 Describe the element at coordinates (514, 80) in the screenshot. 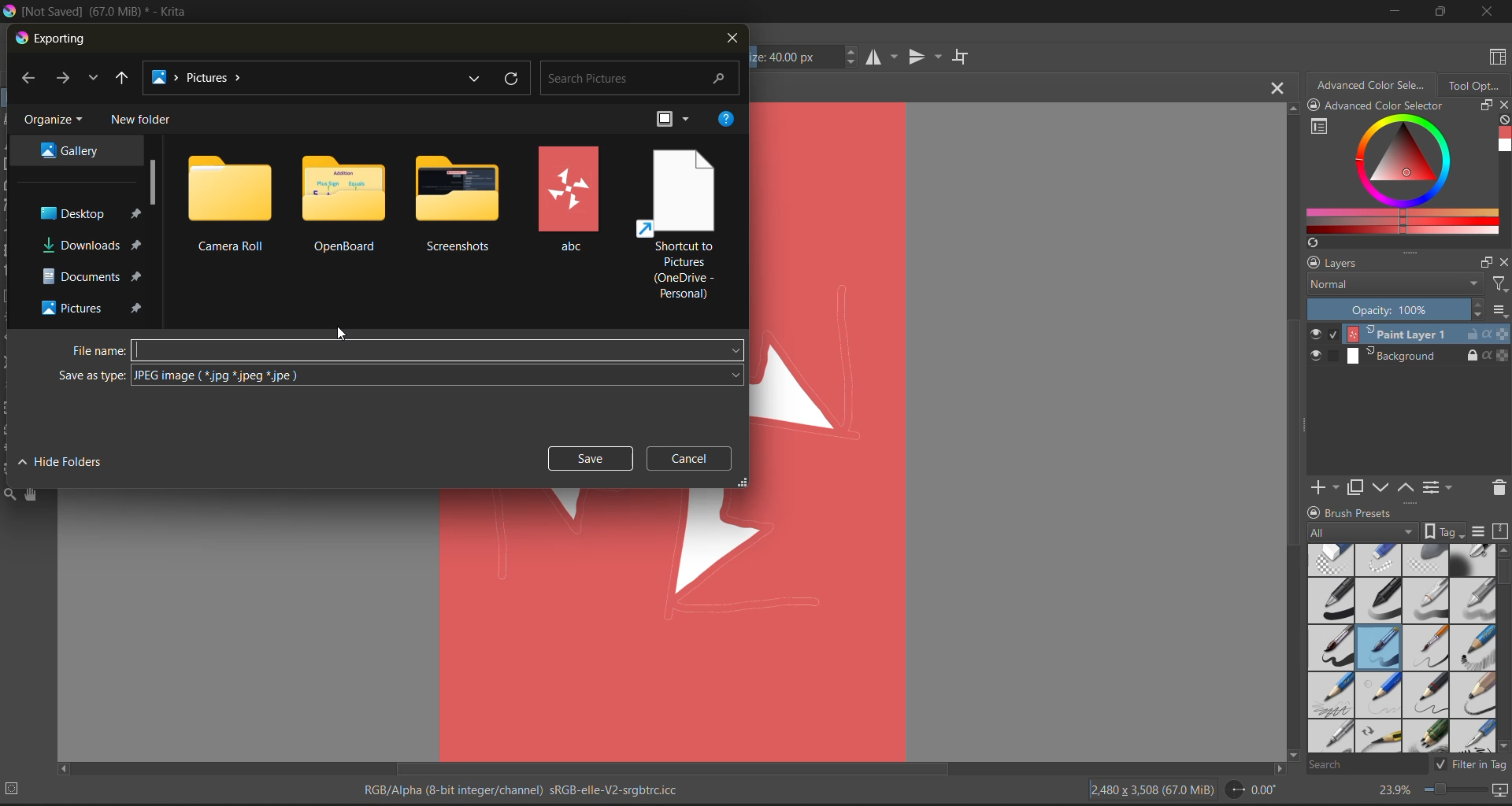

I see `refresh` at that location.